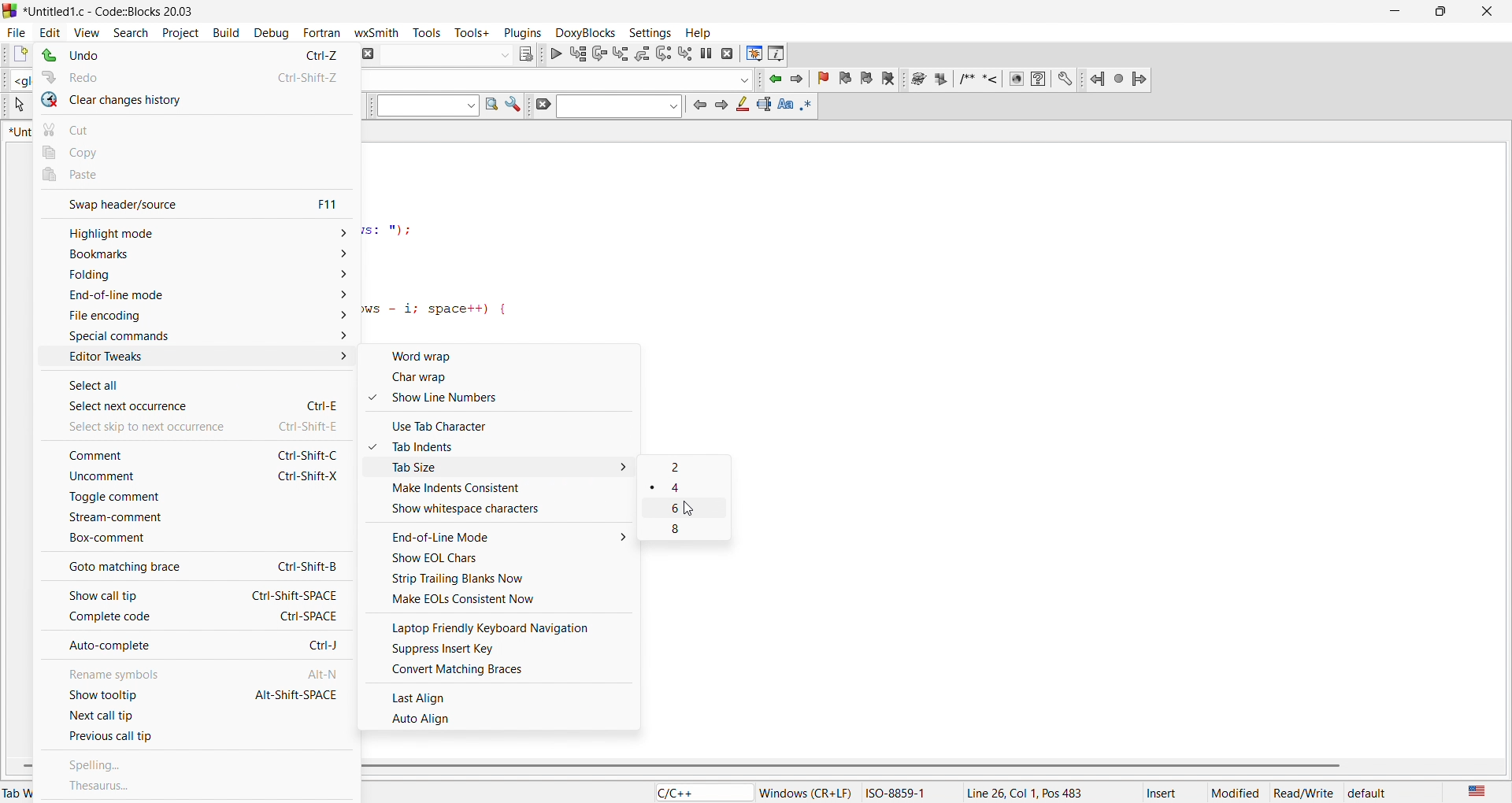 This screenshot has height=803, width=1512. Describe the element at coordinates (688, 531) in the screenshot. I see `8 space` at that location.